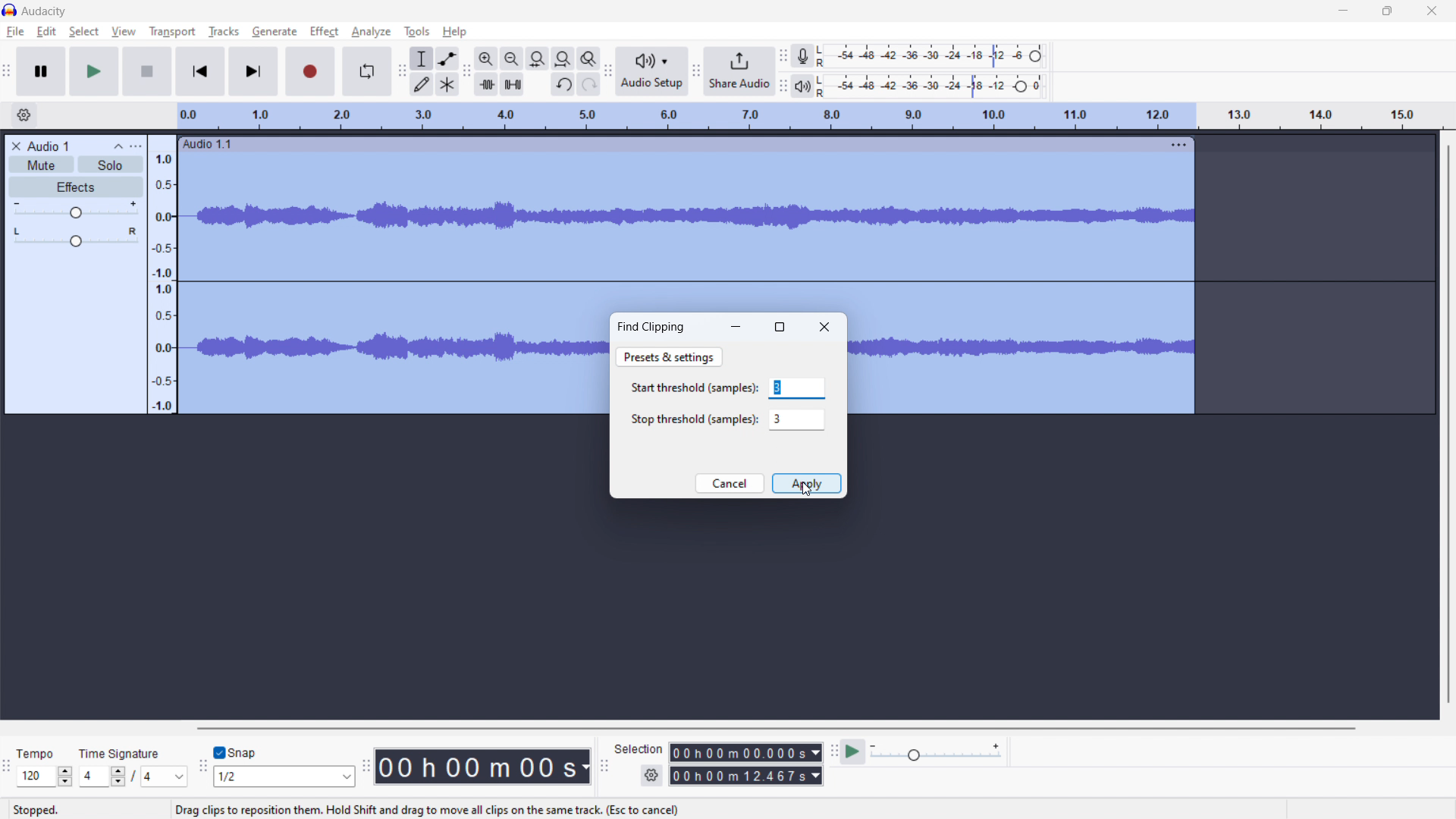  What do you see at coordinates (421, 84) in the screenshot?
I see `draw tool` at bounding box center [421, 84].